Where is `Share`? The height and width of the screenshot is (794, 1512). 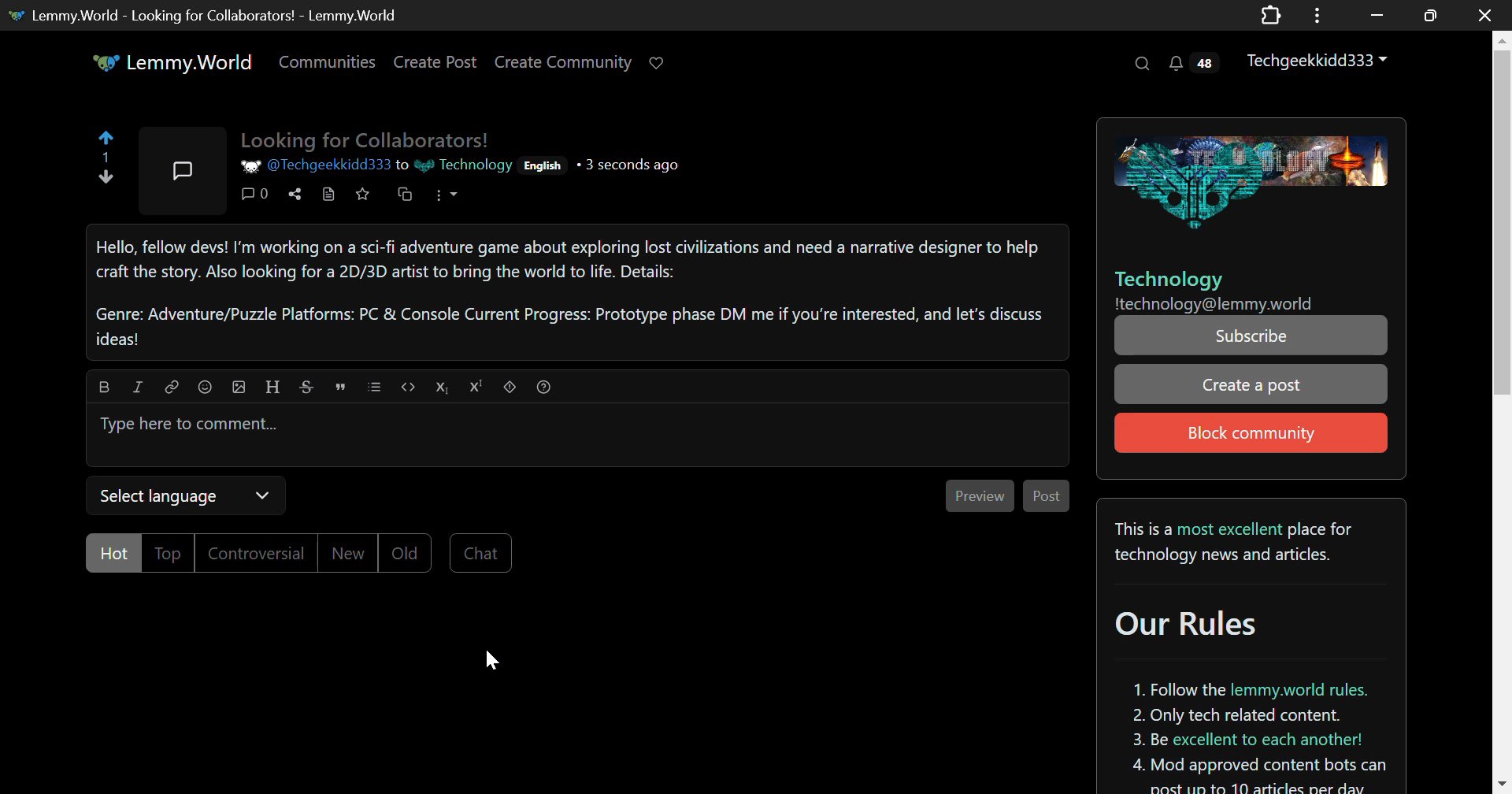
Share is located at coordinates (298, 195).